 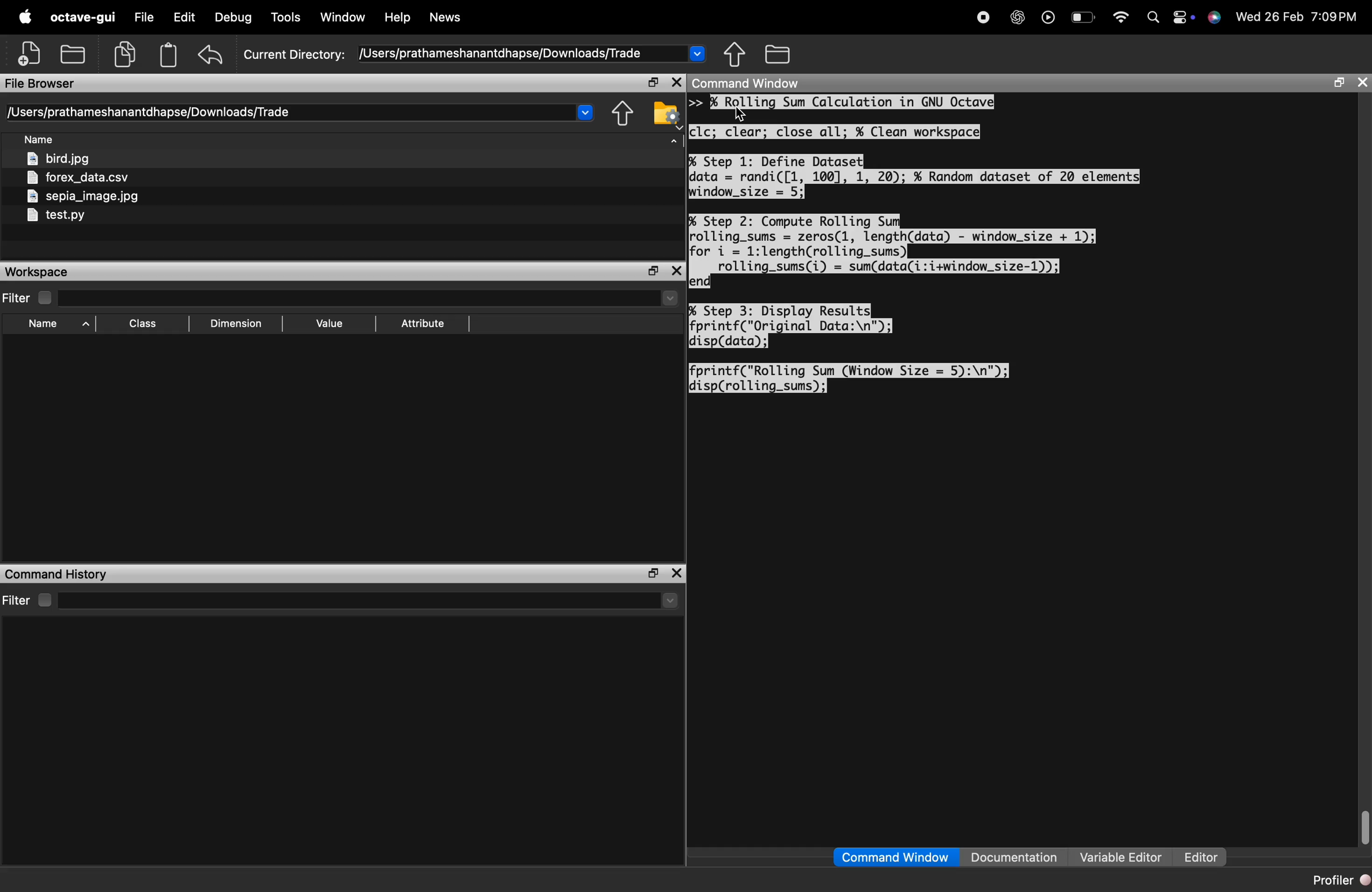 What do you see at coordinates (147, 18) in the screenshot?
I see `file` at bounding box center [147, 18].